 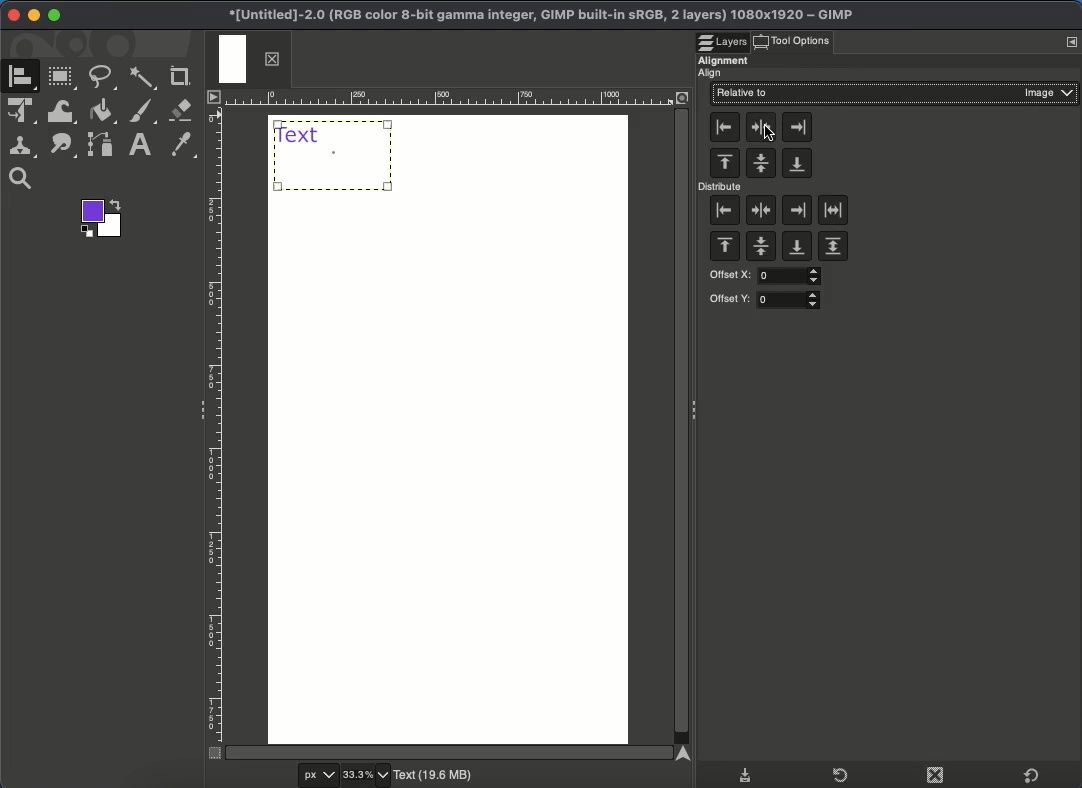 What do you see at coordinates (13, 15) in the screenshot?
I see `Close` at bounding box center [13, 15].